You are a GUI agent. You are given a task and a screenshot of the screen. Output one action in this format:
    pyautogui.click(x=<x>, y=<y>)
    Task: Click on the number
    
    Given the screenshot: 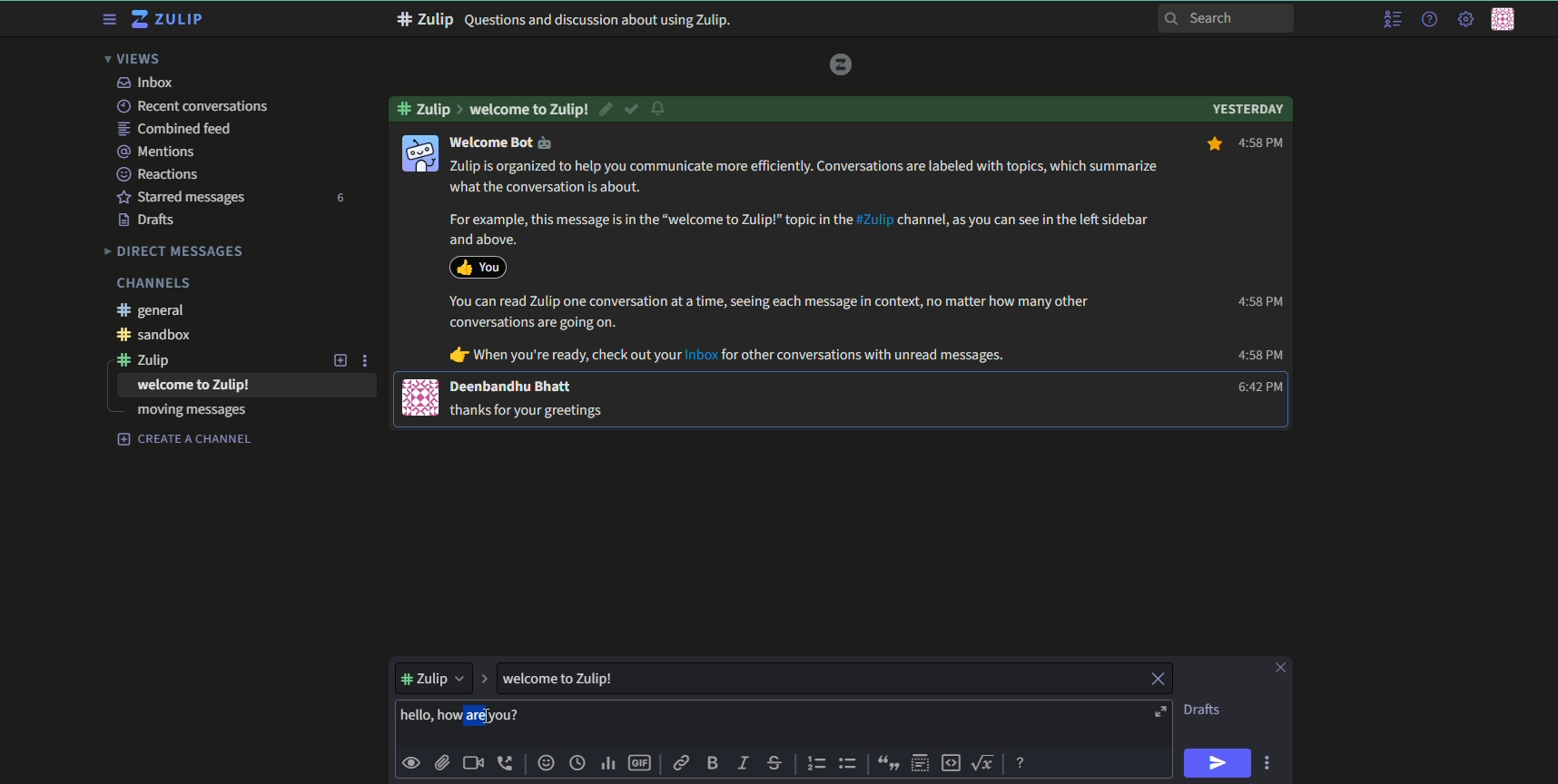 What is the action you would take?
    pyautogui.click(x=339, y=198)
    